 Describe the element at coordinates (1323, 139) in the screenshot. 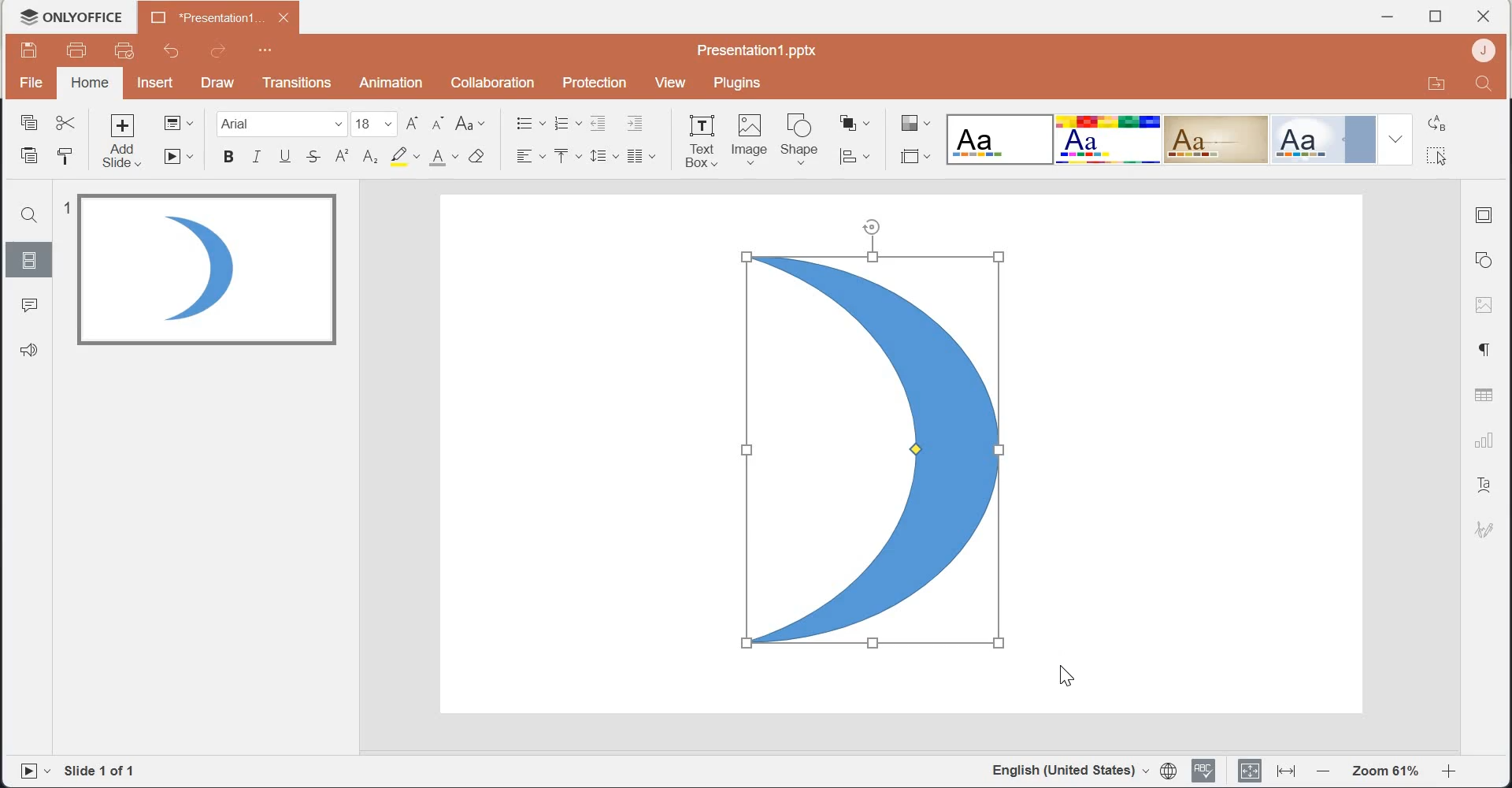

I see `Official` at that location.